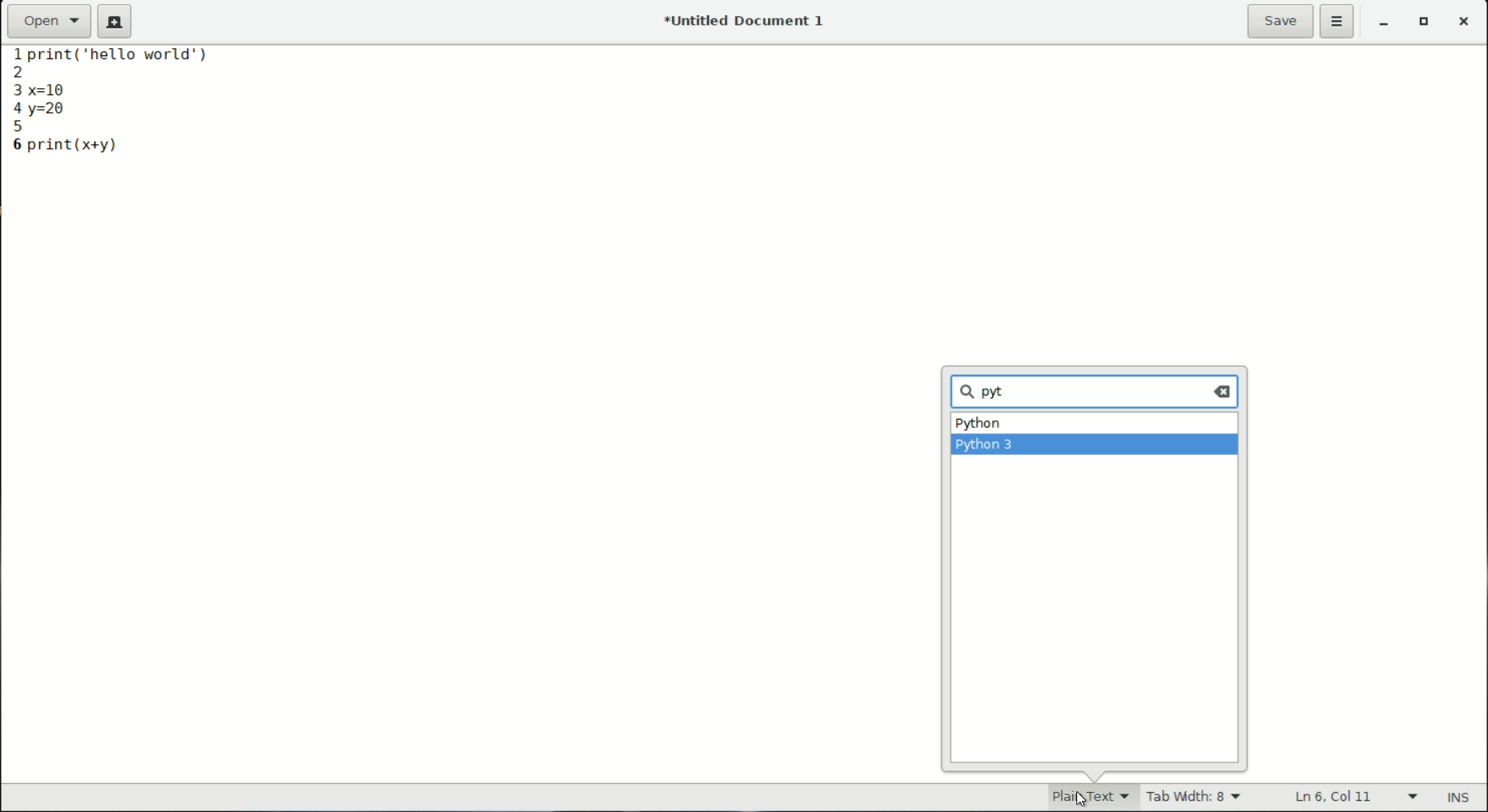  I want to click on pyt, so click(987, 393).